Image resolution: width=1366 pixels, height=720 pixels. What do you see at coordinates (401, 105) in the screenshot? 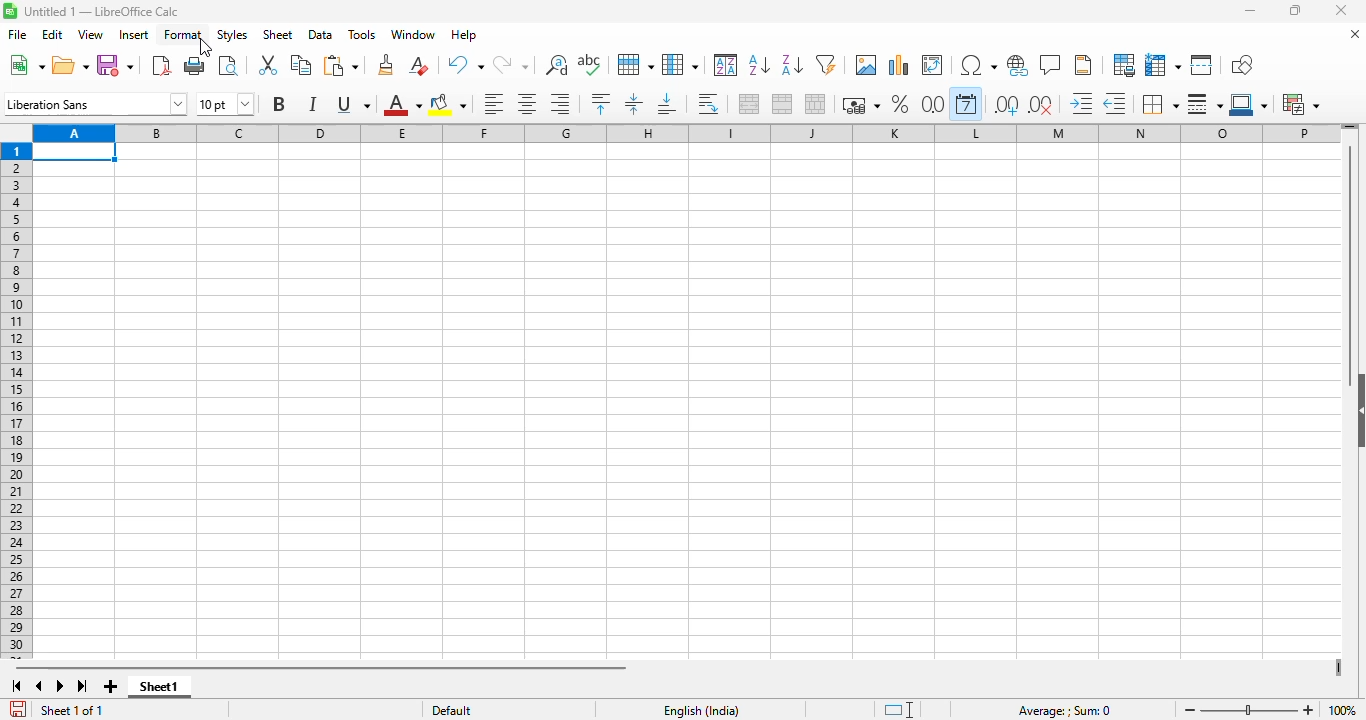
I see `font color` at bounding box center [401, 105].